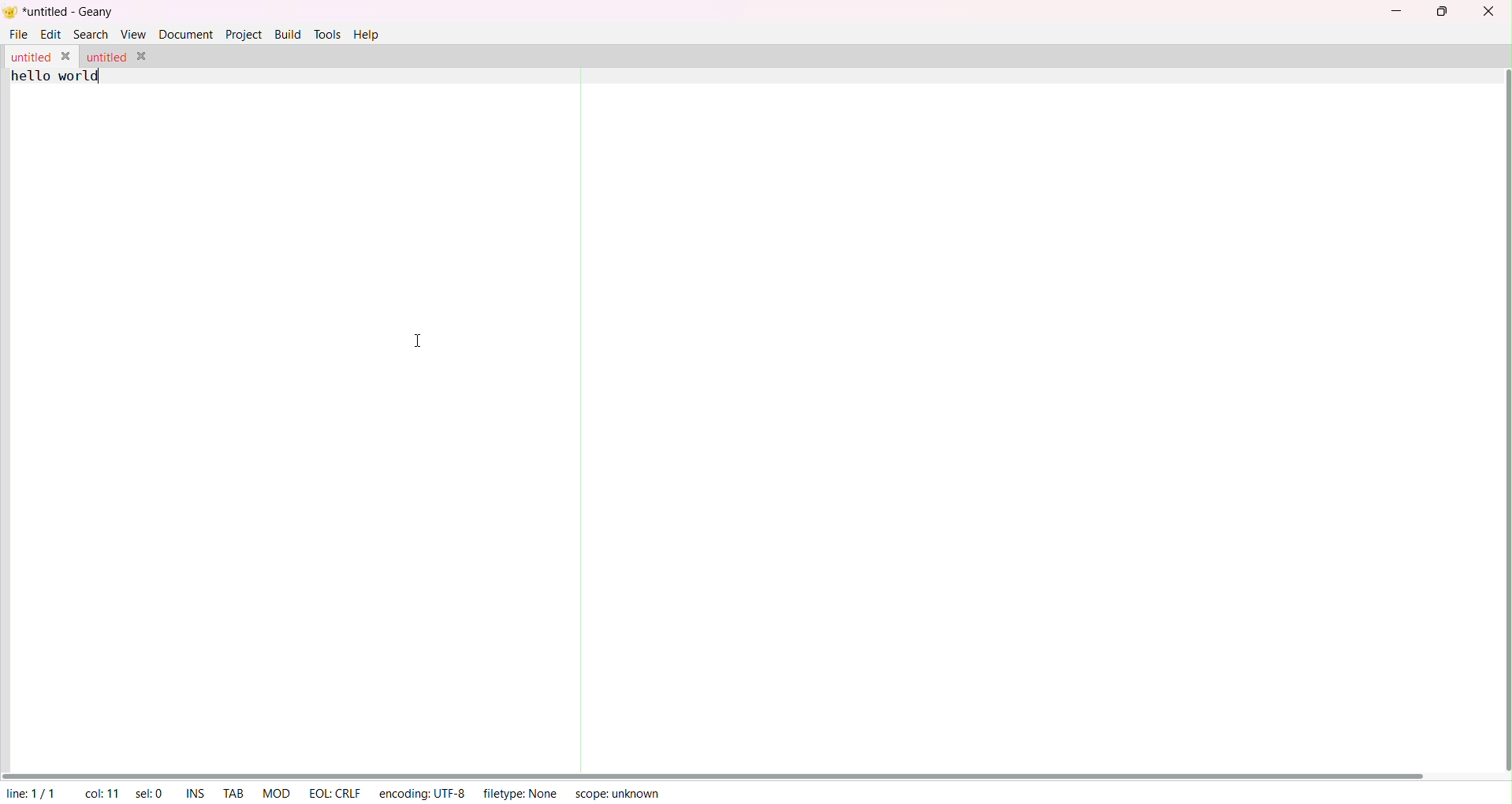 This screenshot has height=804, width=1512. What do you see at coordinates (106, 57) in the screenshot?
I see `untitled` at bounding box center [106, 57].